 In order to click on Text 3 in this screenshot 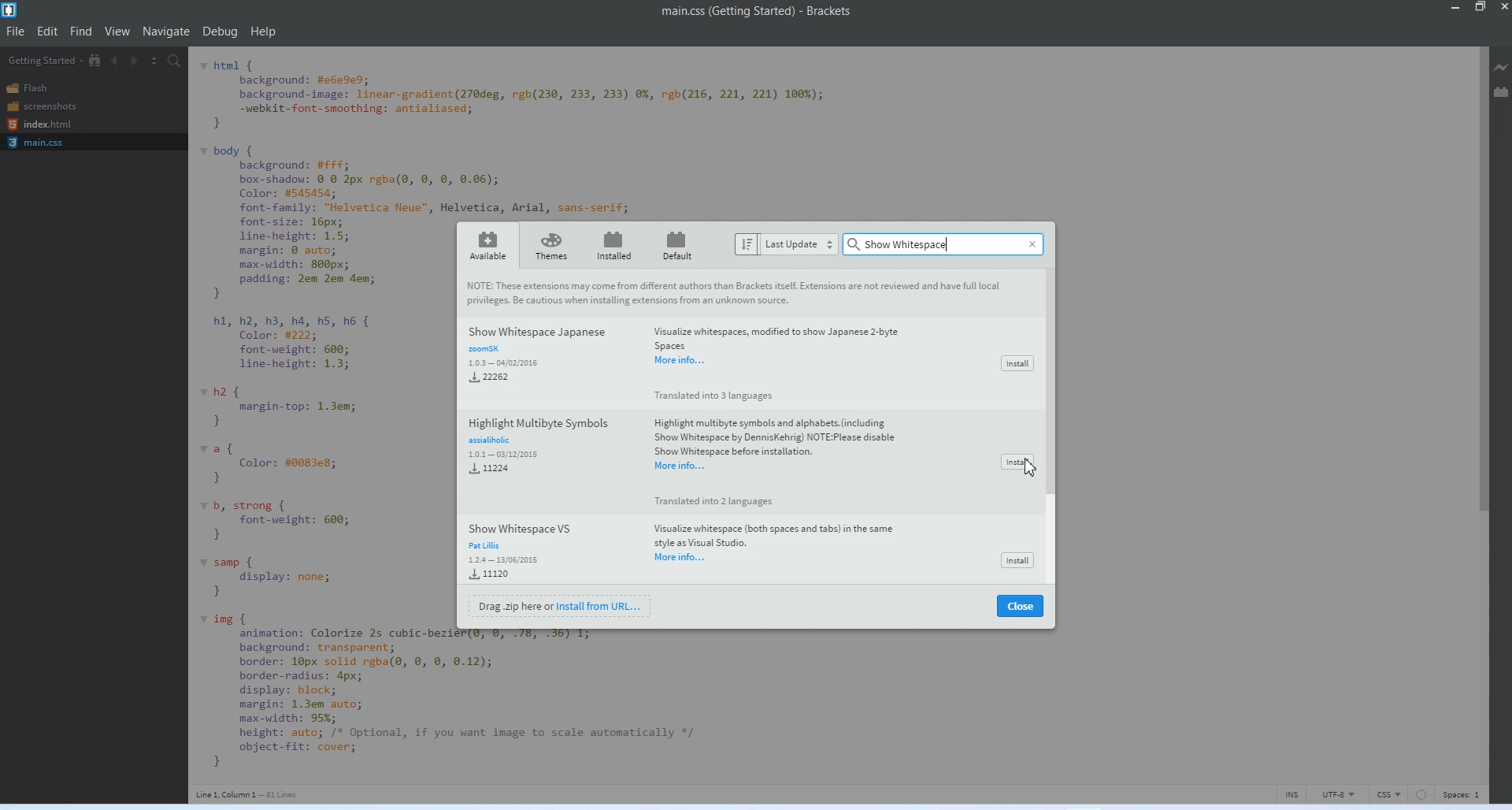, I will do `click(250, 793)`.